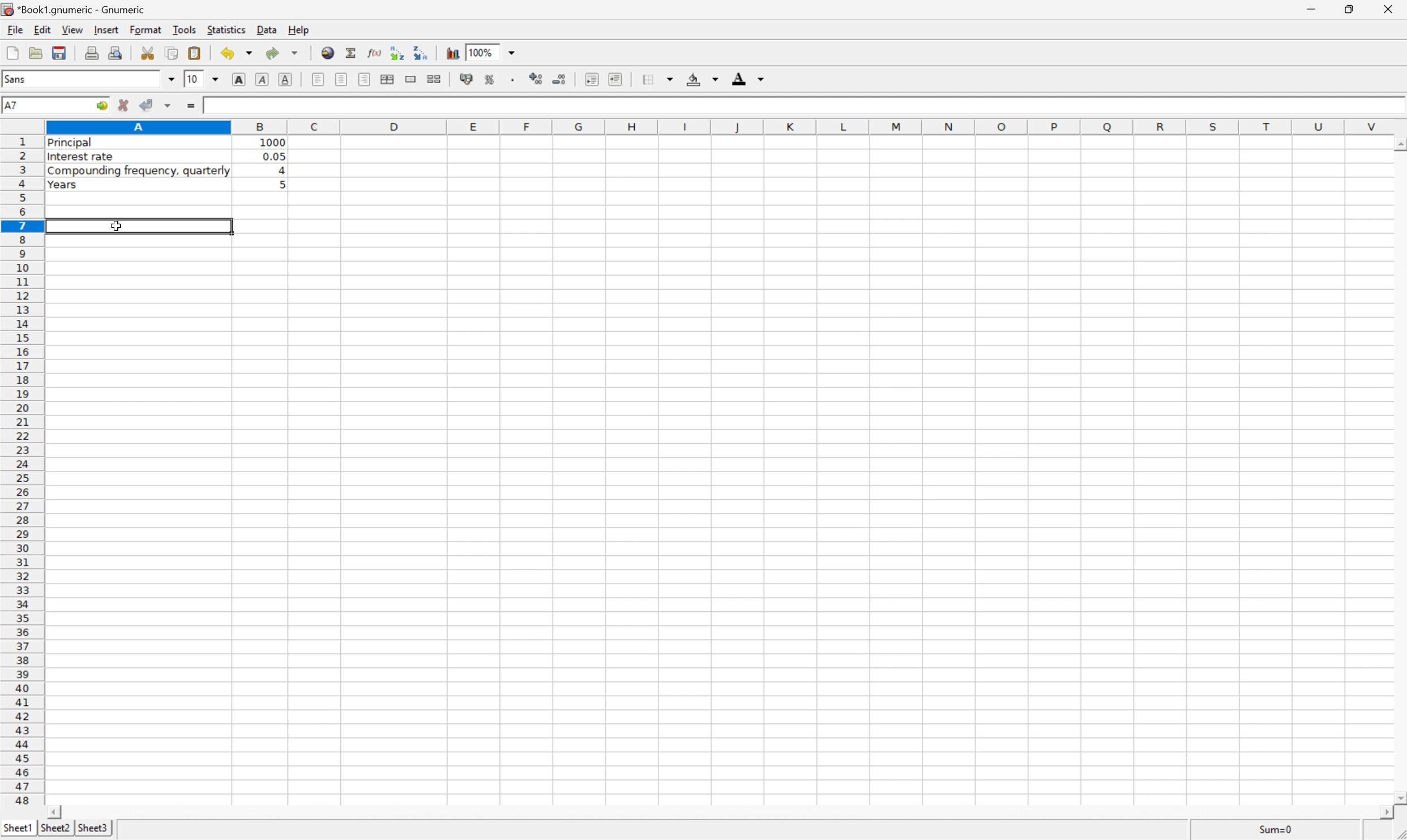  What do you see at coordinates (1314, 9) in the screenshot?
I see `minimize` at bounding box center [1314, 9].